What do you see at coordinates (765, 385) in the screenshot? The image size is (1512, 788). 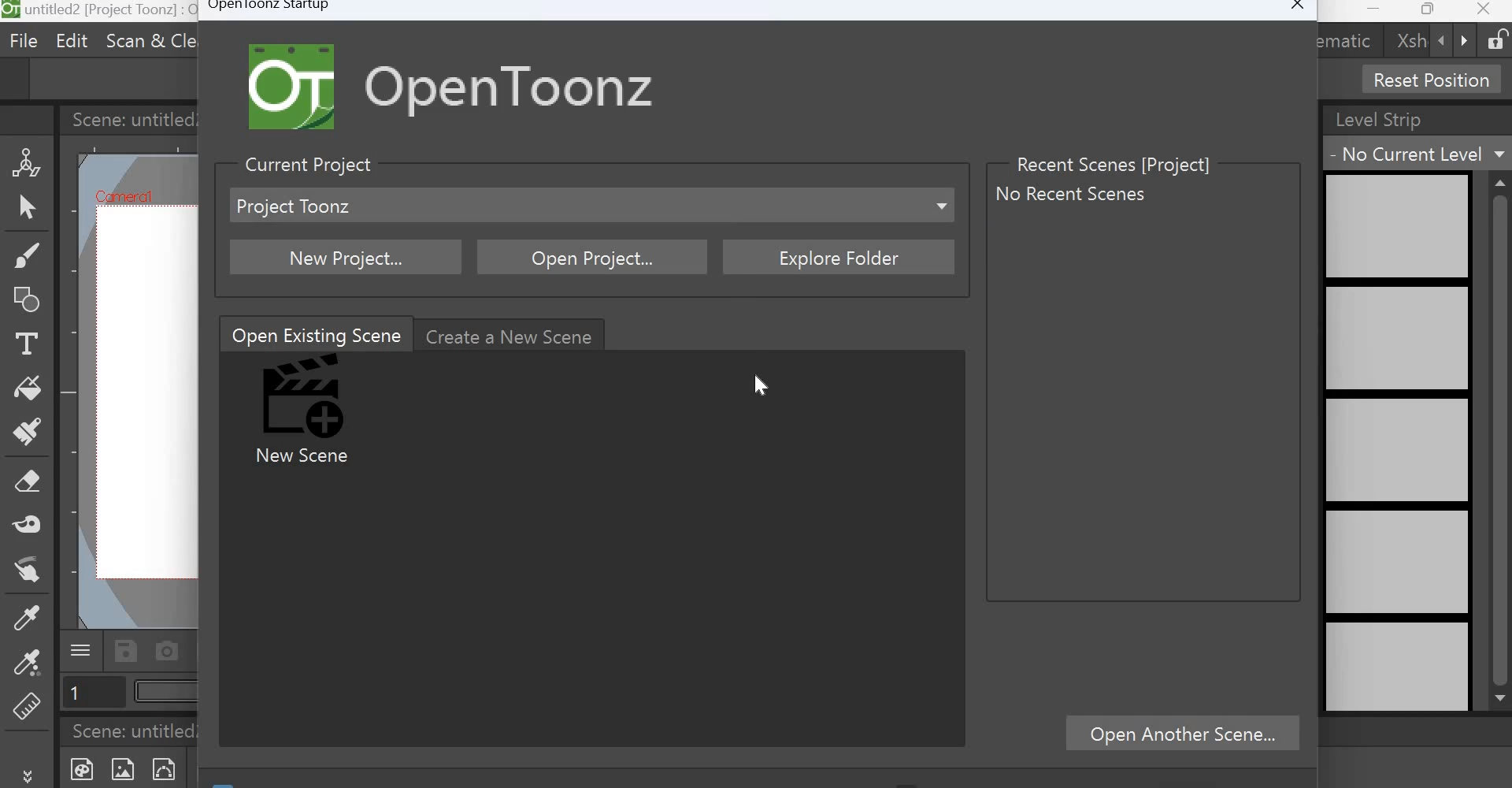 I see `Cursor` at bounding box center [765, 385].